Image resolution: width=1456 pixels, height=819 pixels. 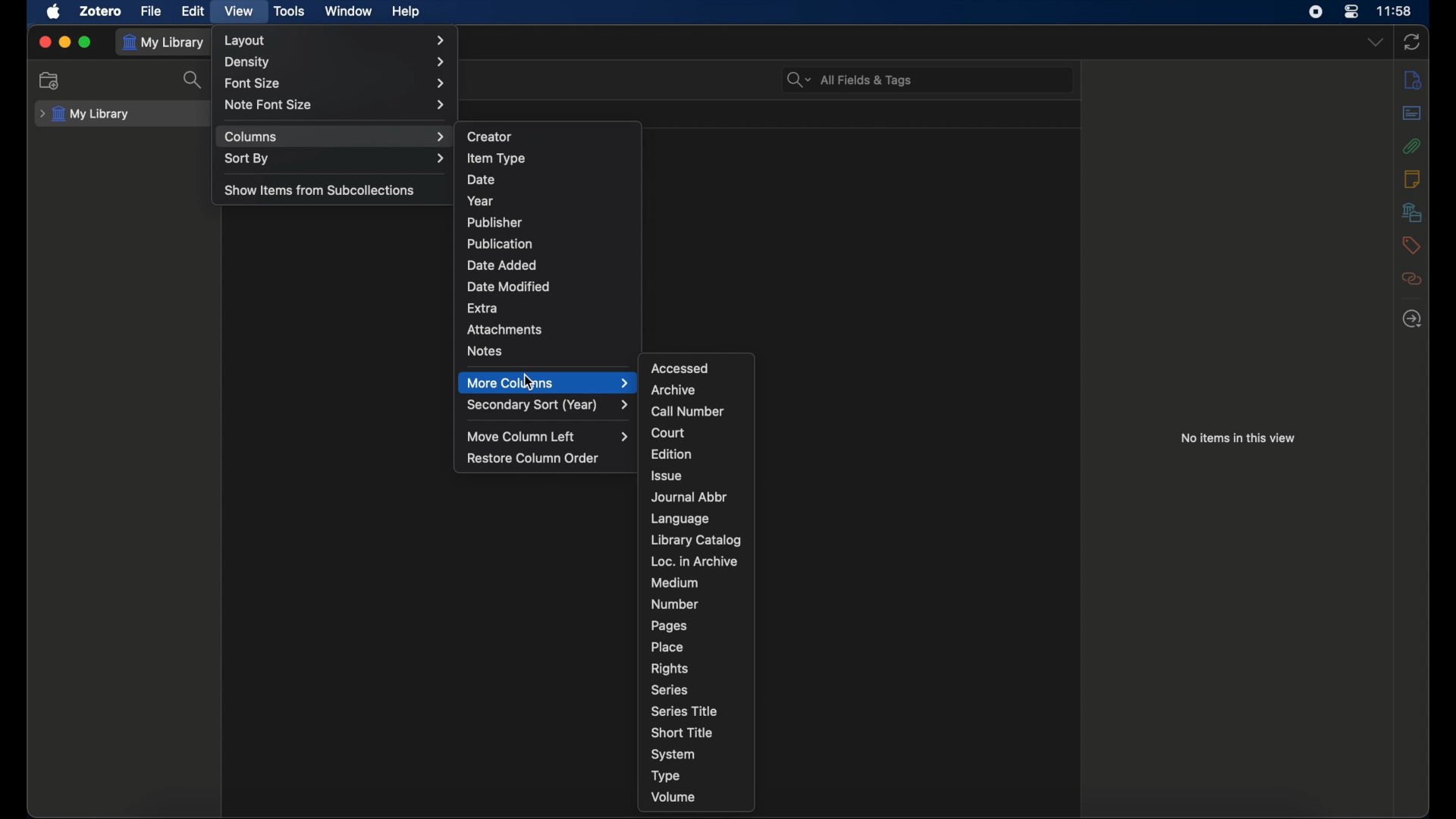 What do you see at coordinates (240, 11) in the screenshot?
I see `view` at bounding box center [240, 11].